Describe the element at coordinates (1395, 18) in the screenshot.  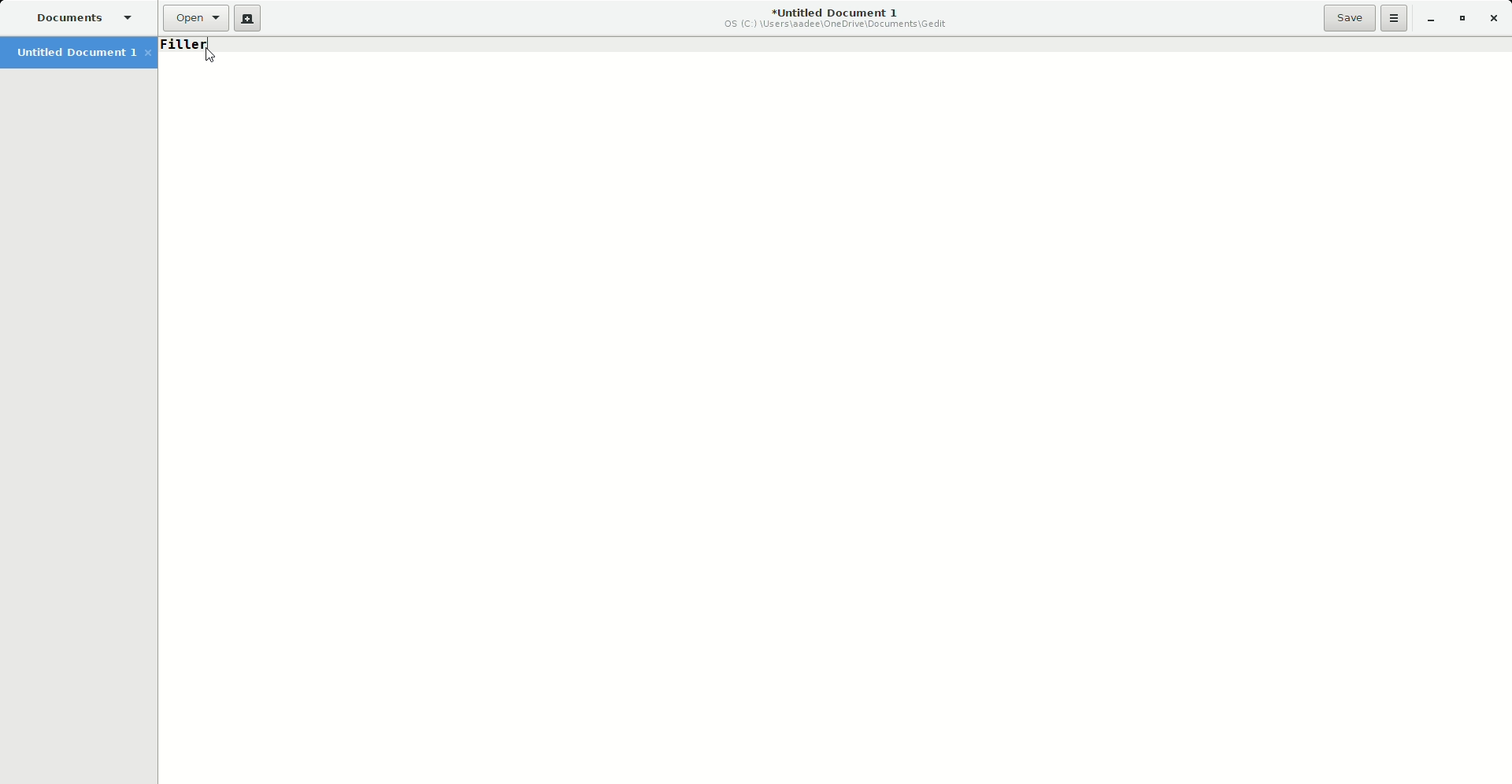
I see `Options` at that location.